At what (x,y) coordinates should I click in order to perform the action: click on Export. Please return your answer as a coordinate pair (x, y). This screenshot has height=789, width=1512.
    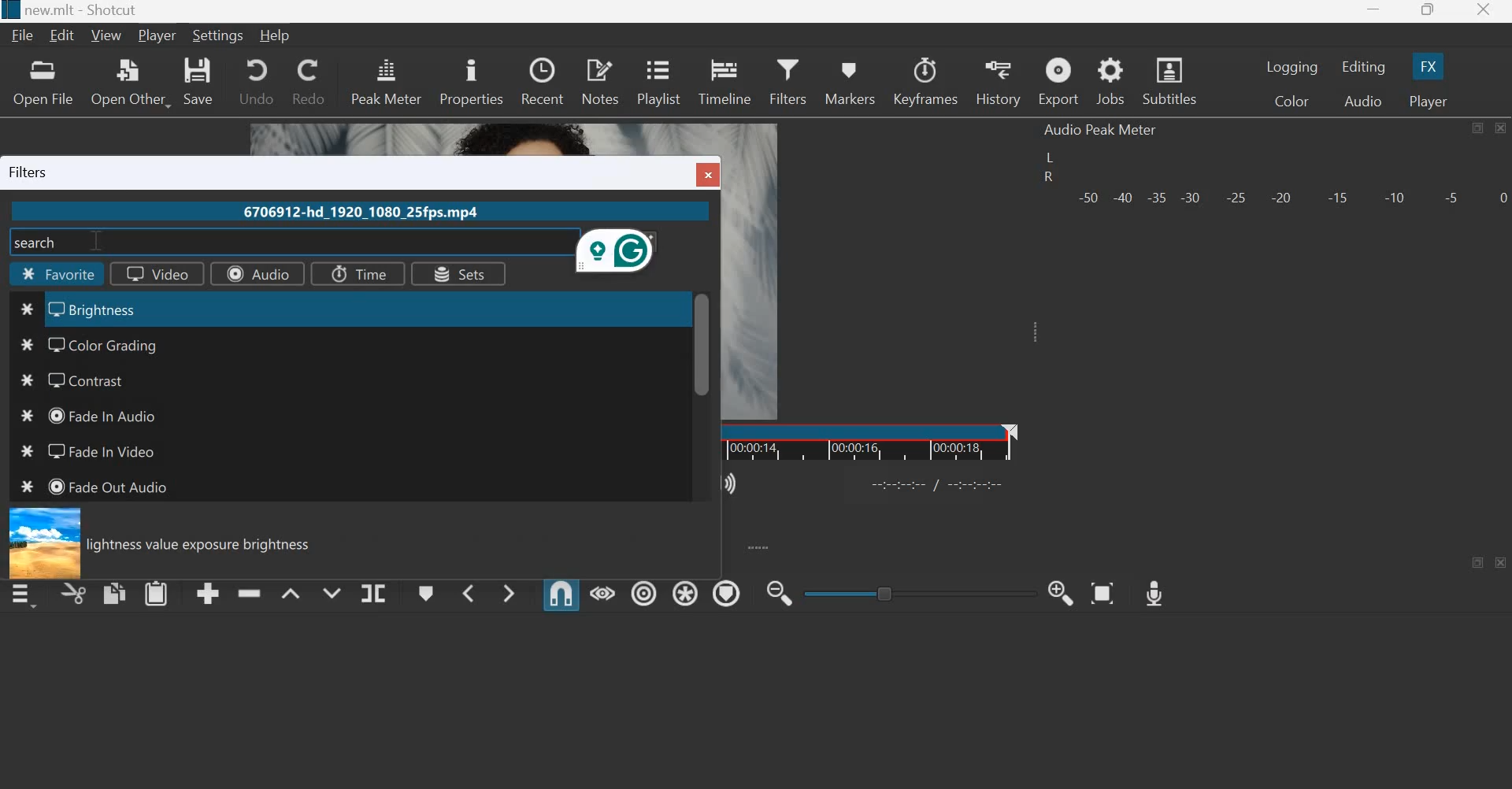
    Looking at the image, I should click on (1058, 83).